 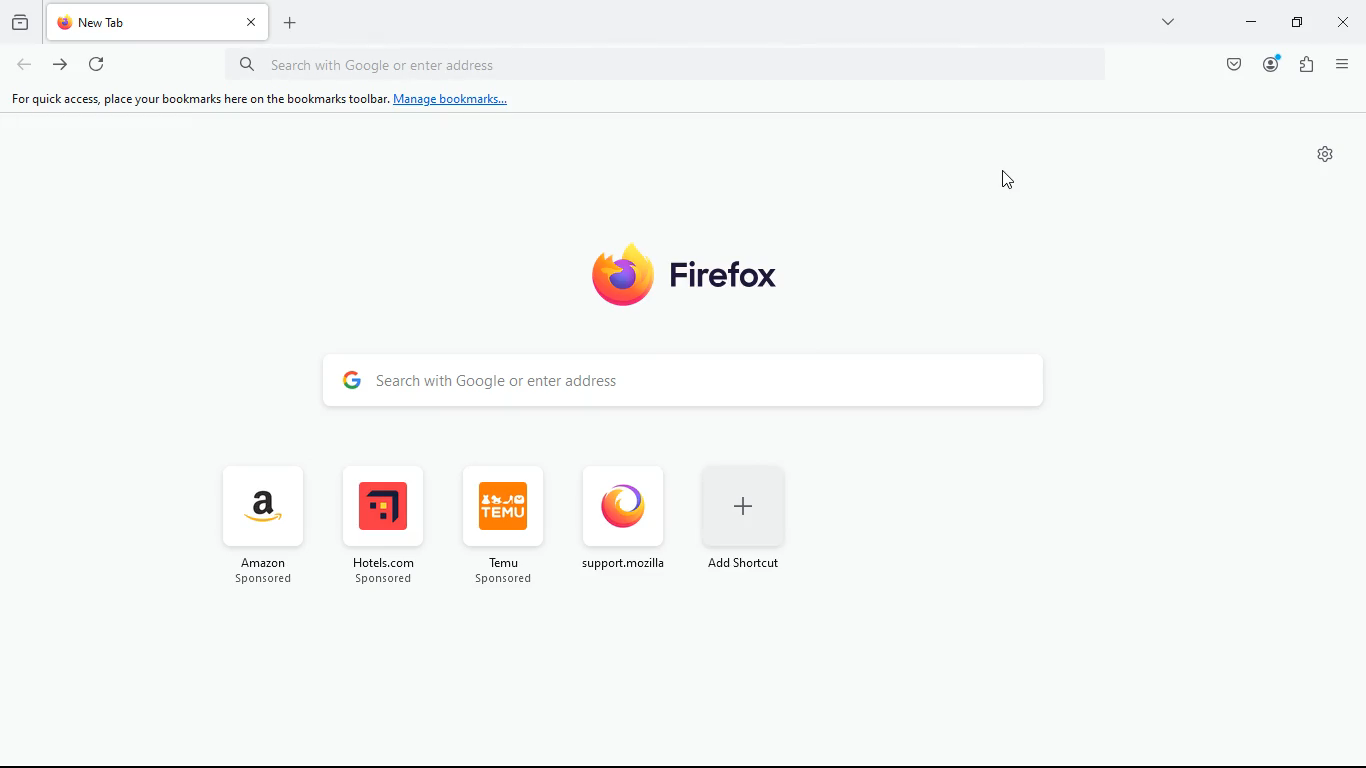 I want to click on archive, so click(x=18, y=24).